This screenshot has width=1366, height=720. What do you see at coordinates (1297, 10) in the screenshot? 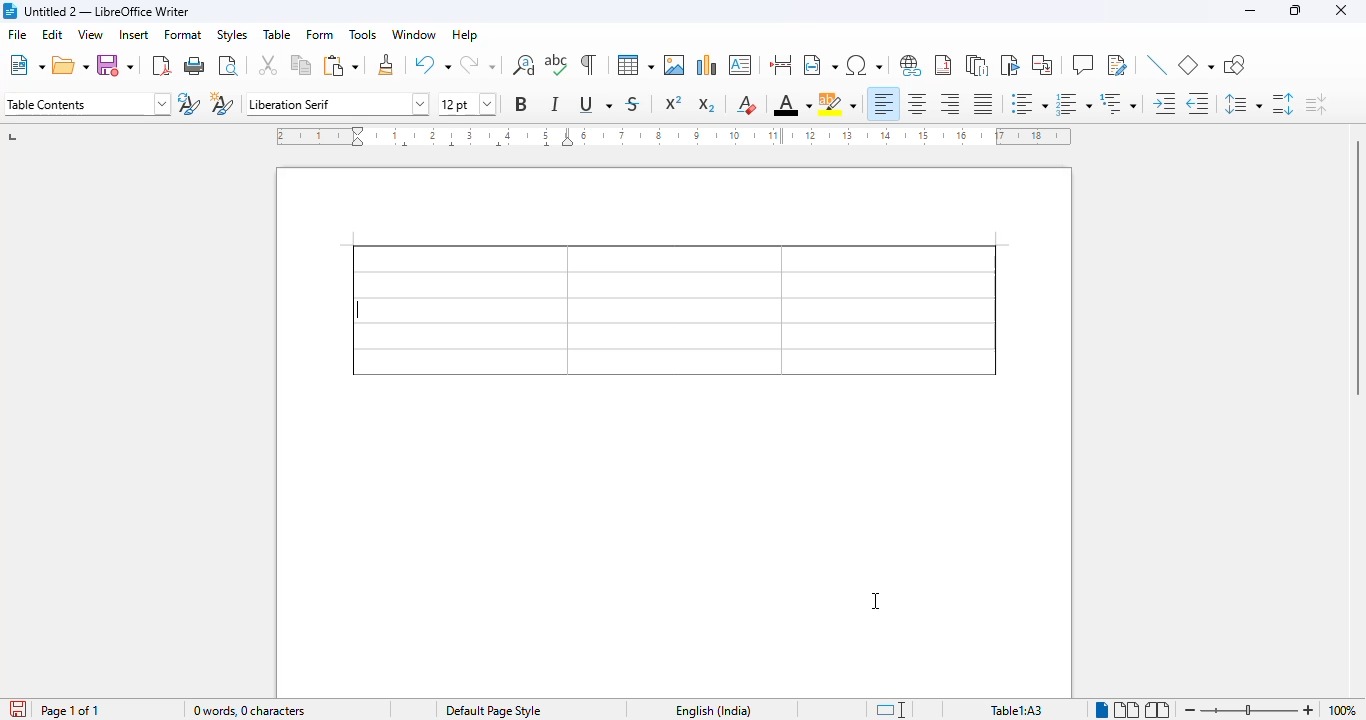
I see `maximize` at bounding box center [1297, 10].